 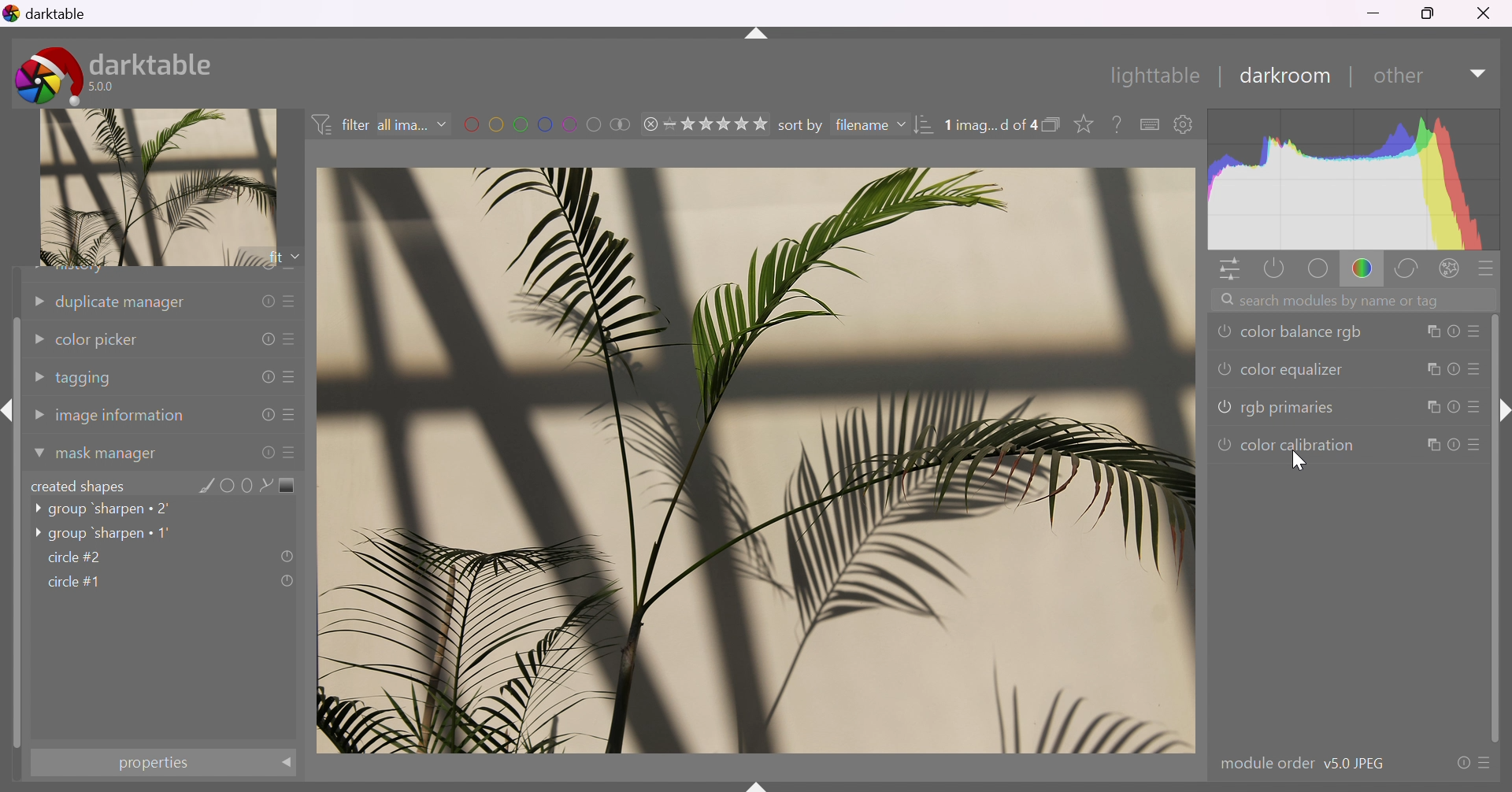 What do you see at coordinates (1333, 300) in the screenshot?
I see `search modules by name or tag` at bounding box center [1333, 300].